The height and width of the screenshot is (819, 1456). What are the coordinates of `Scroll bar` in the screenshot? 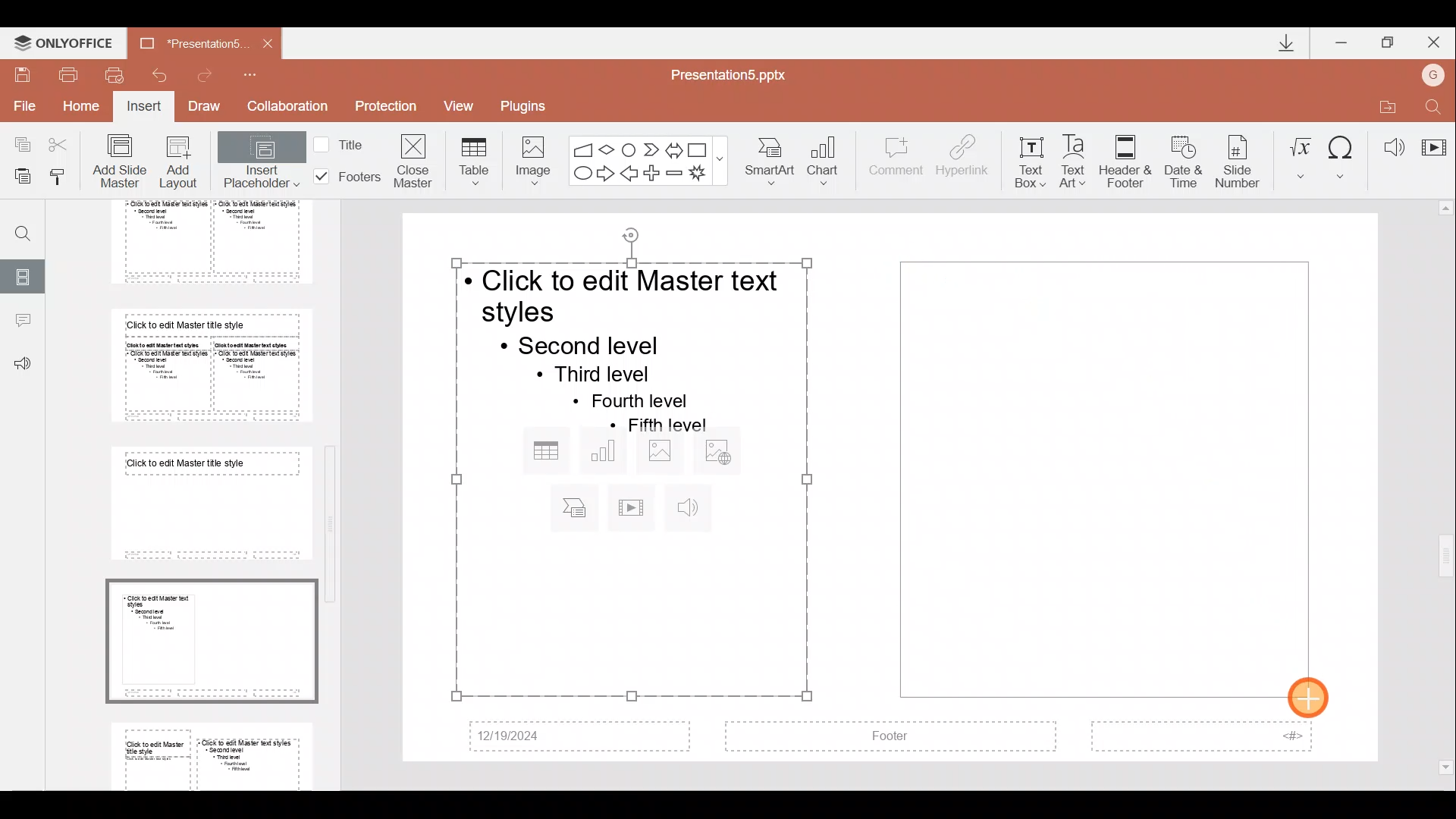 It's located at (1446, 488).